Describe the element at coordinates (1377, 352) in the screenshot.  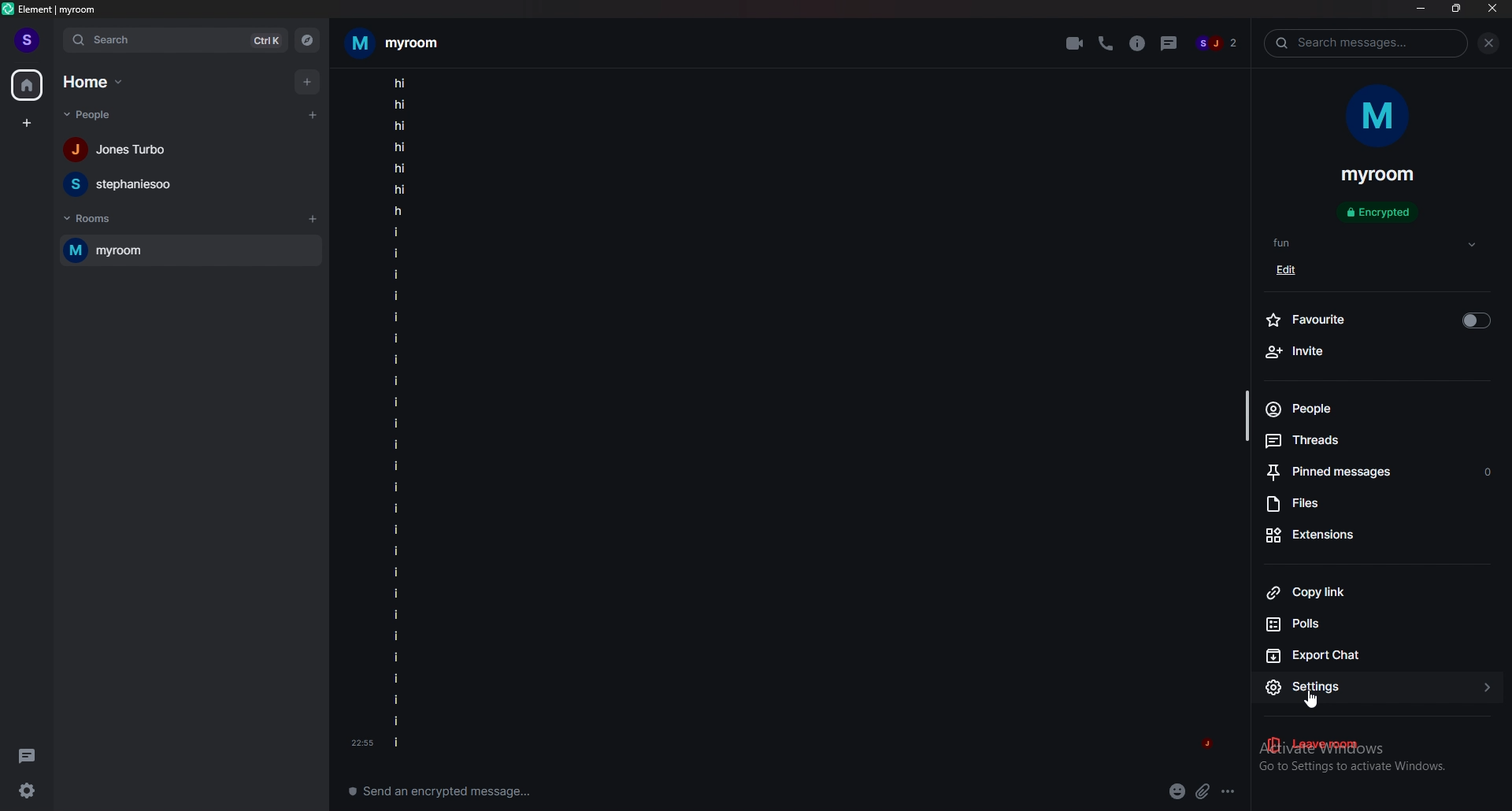
I see `invite` at that location.